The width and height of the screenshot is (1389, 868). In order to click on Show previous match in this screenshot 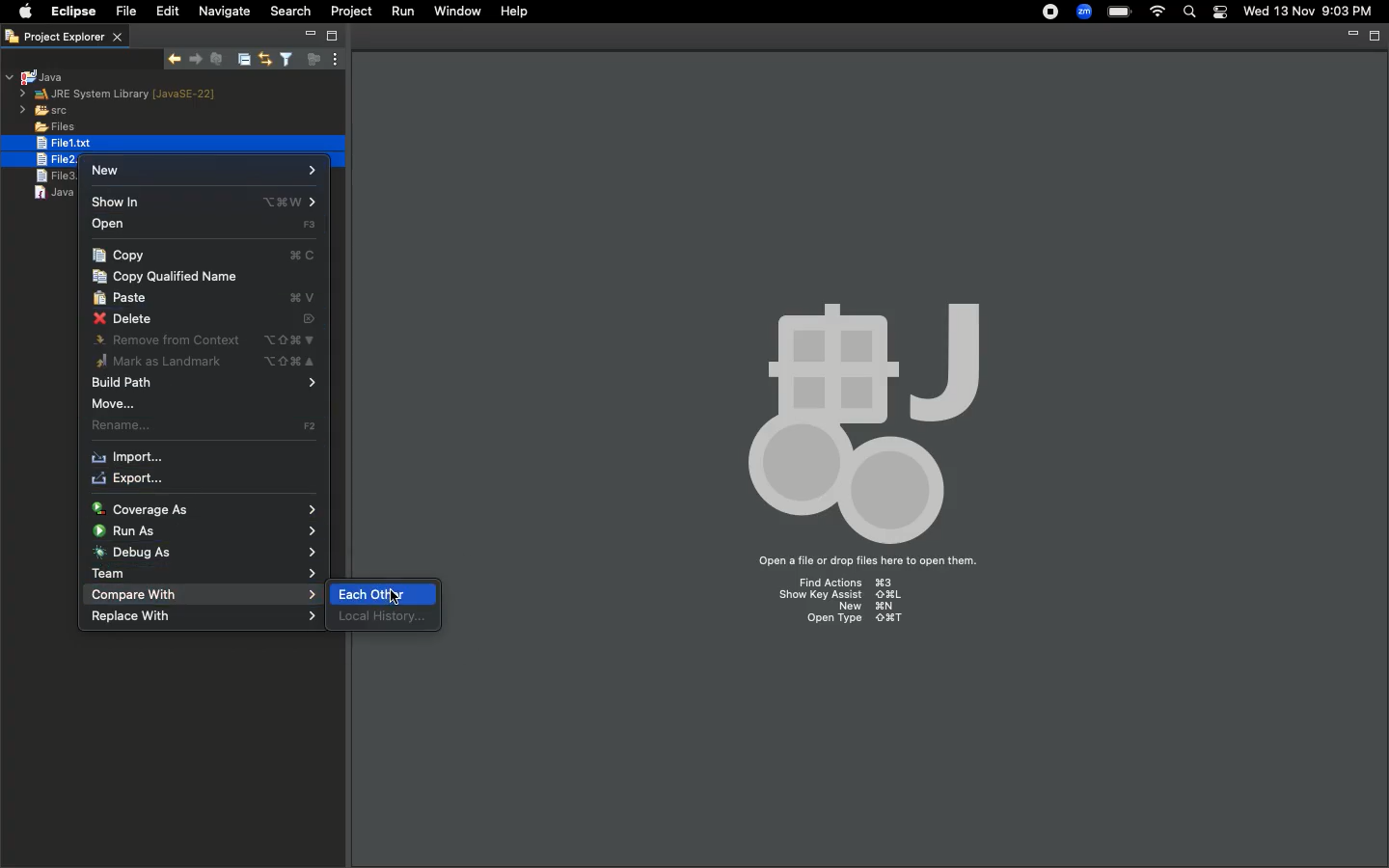, I will do `click(198, 59)`.